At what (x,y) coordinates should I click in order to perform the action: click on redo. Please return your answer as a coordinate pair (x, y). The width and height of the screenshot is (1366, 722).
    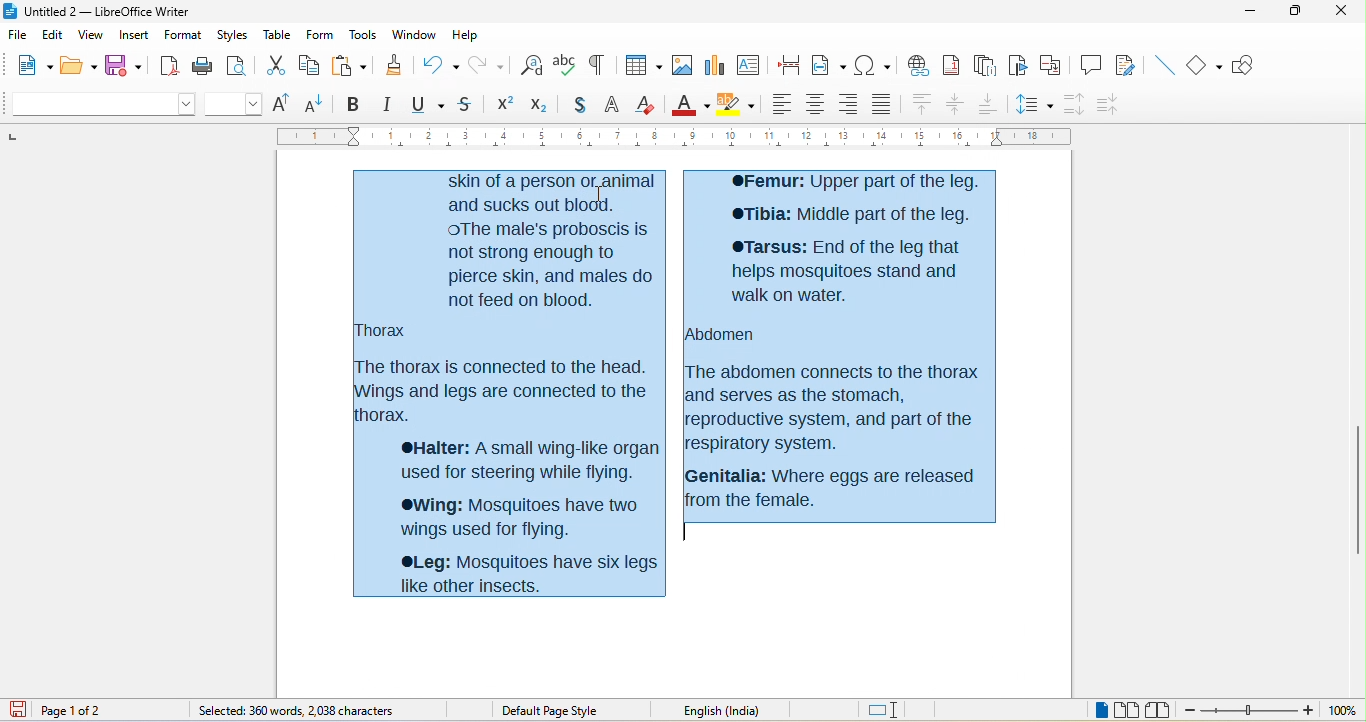
    Looking at the image, I should click on (485, 64).